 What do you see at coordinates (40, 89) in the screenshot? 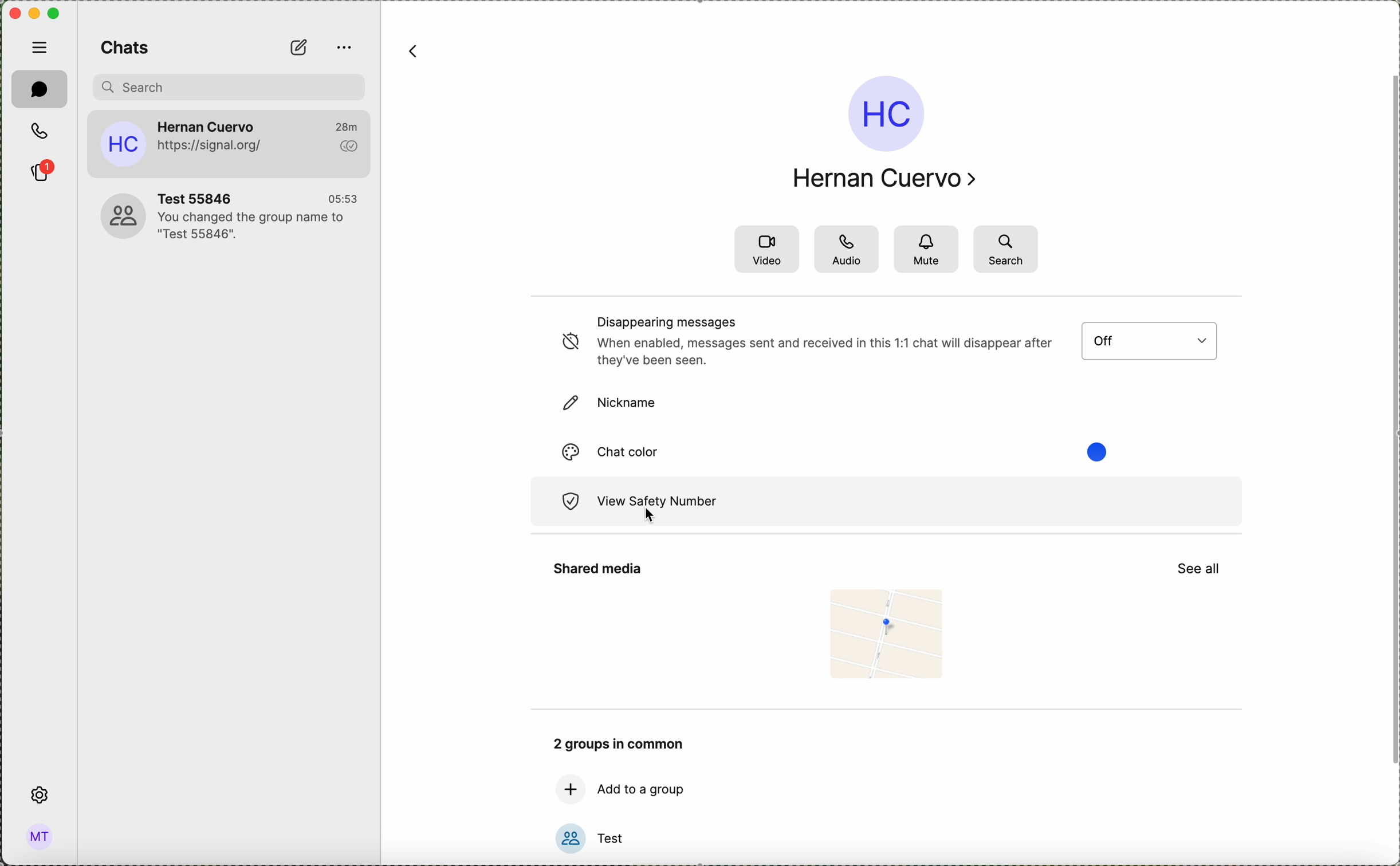
I see `chat` at bounding box center [40, 89].